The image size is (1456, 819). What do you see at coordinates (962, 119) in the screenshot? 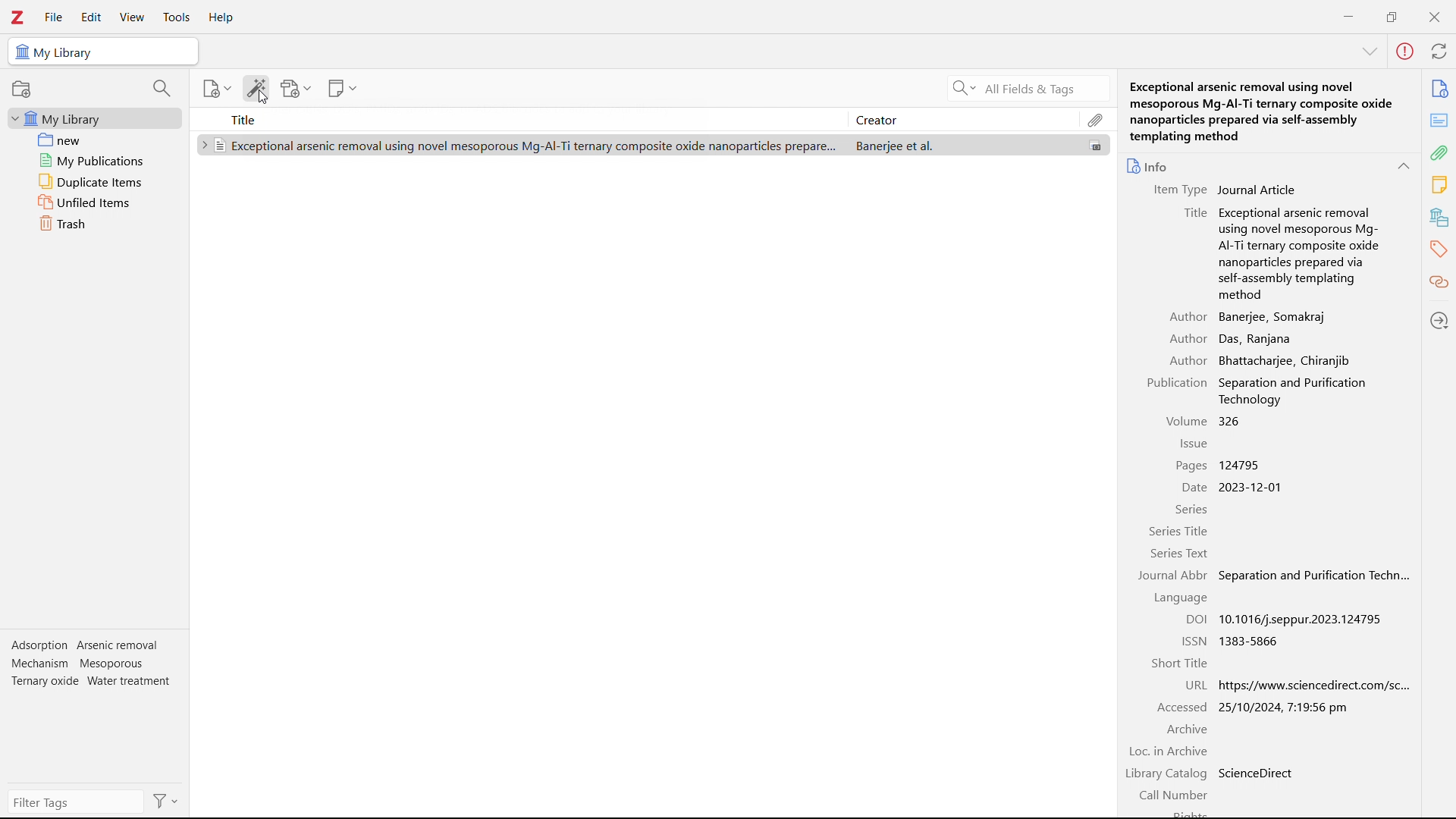
I see `creator` at bounding box center [962, 119].